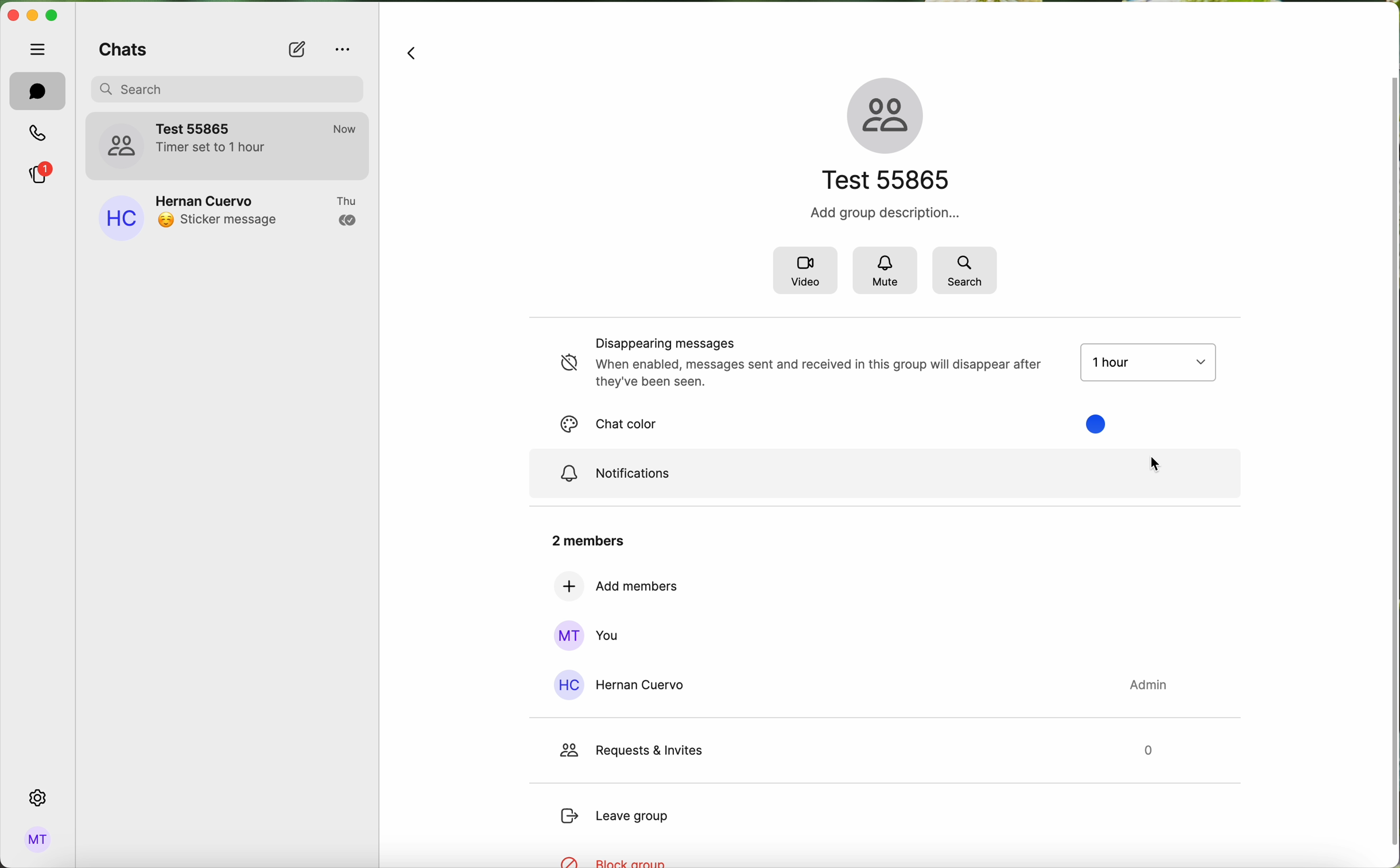  Describe the element at coordinates (617, 474) in the screenshot. I see `notifications` at that location.